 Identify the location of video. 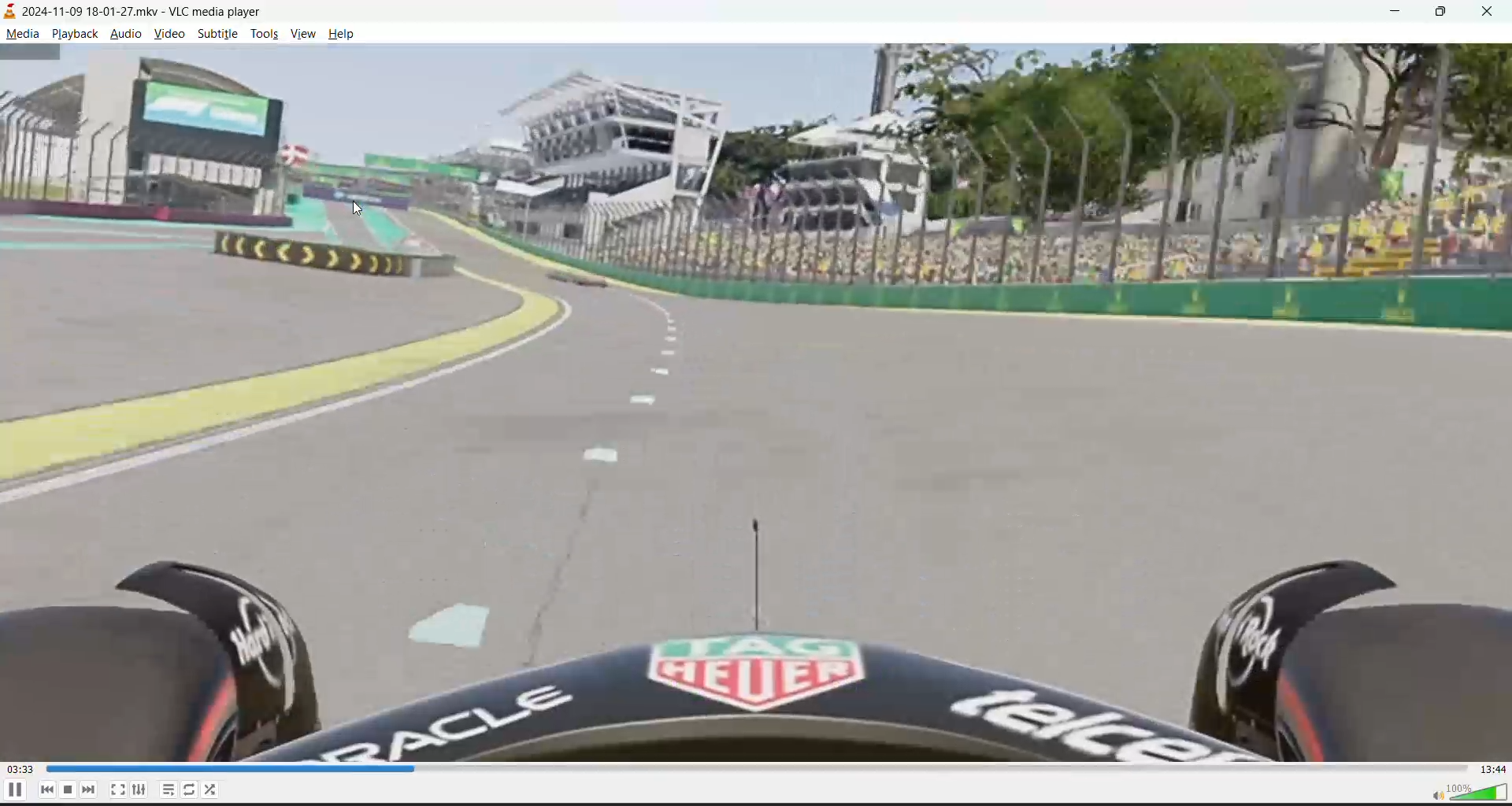
(169, 32).